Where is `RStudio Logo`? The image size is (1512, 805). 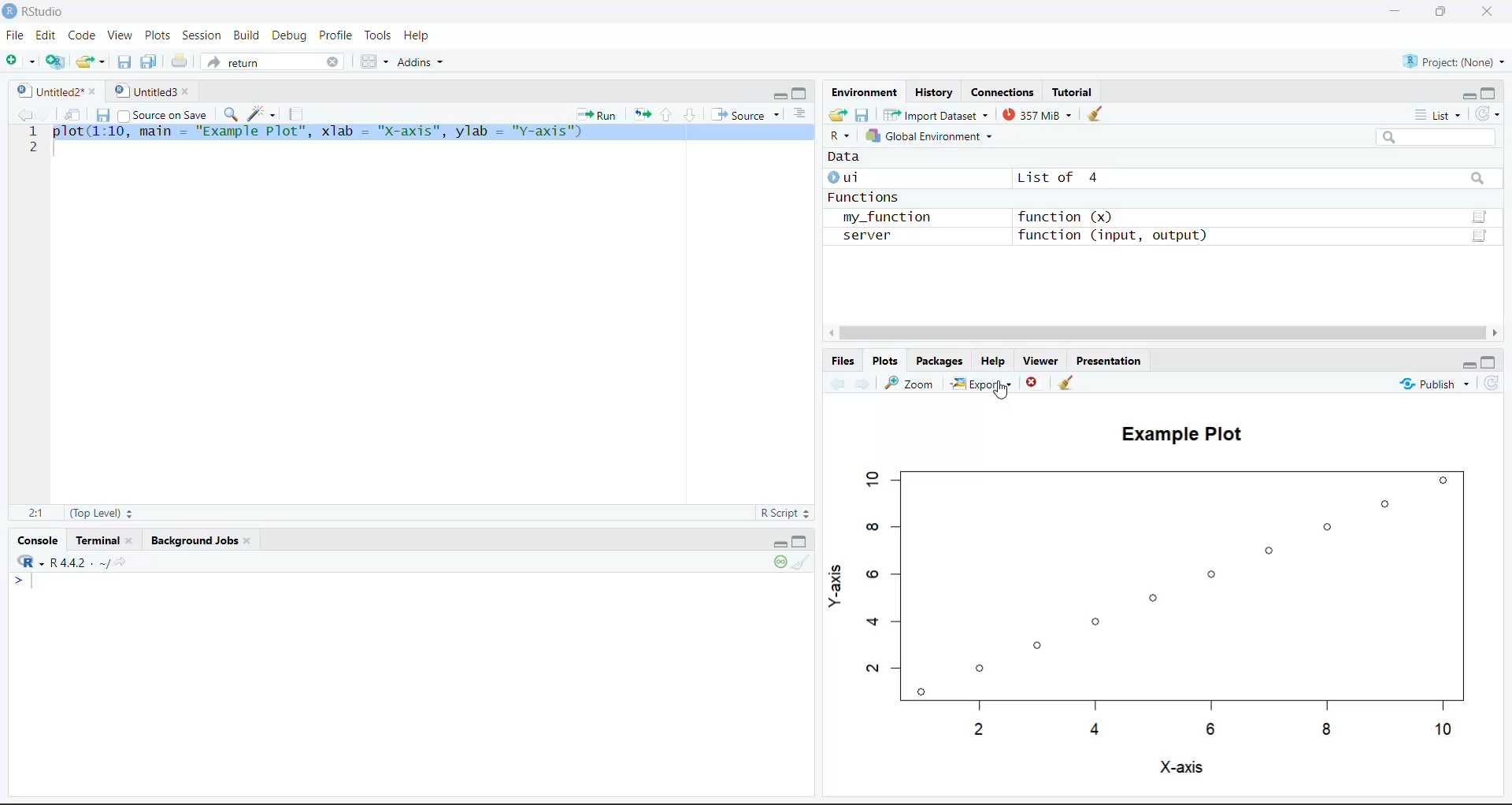
RStudio Logo is located at coordinates (24, 559).